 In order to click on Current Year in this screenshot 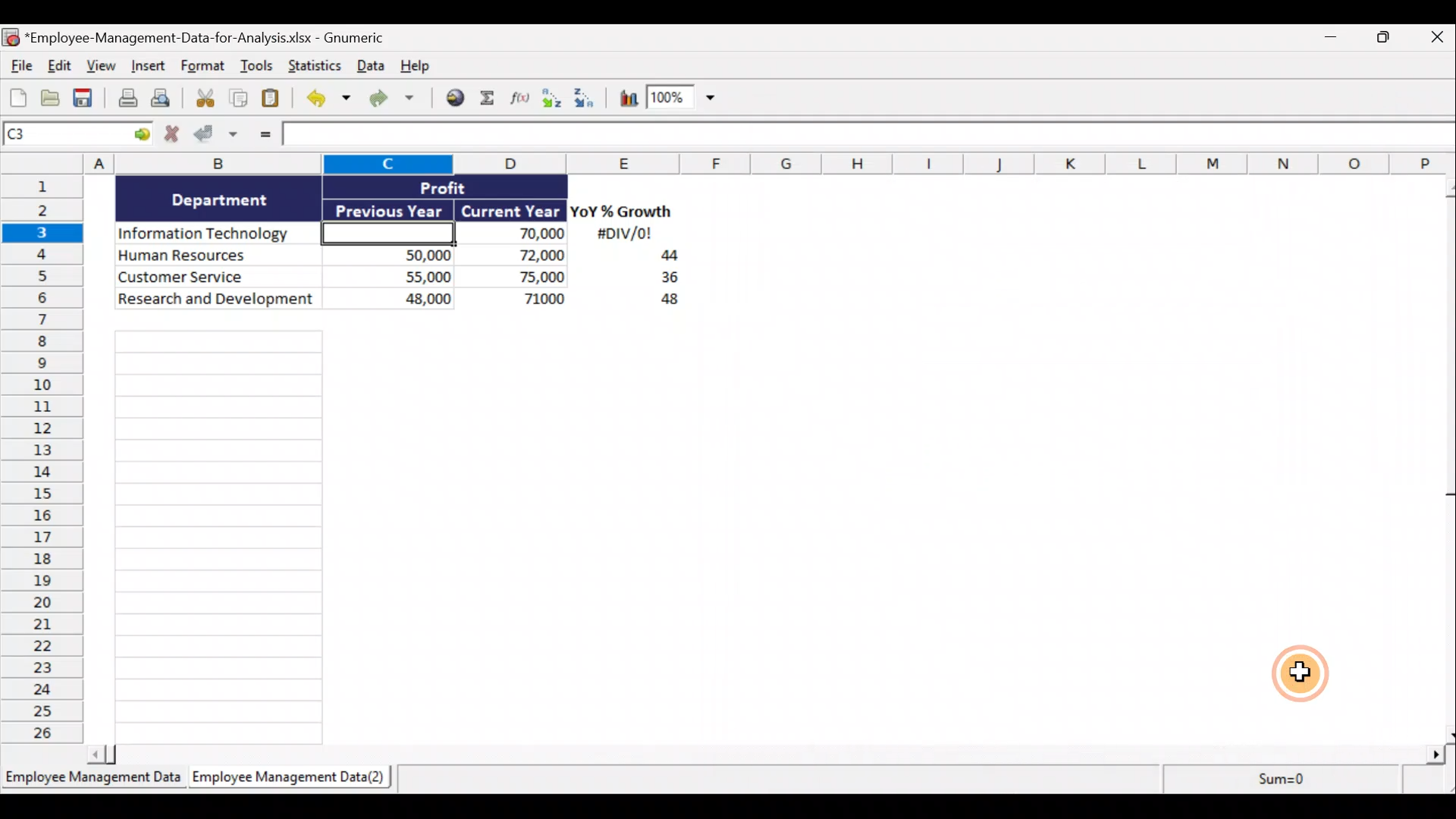, I will do `click(509, 212)`.